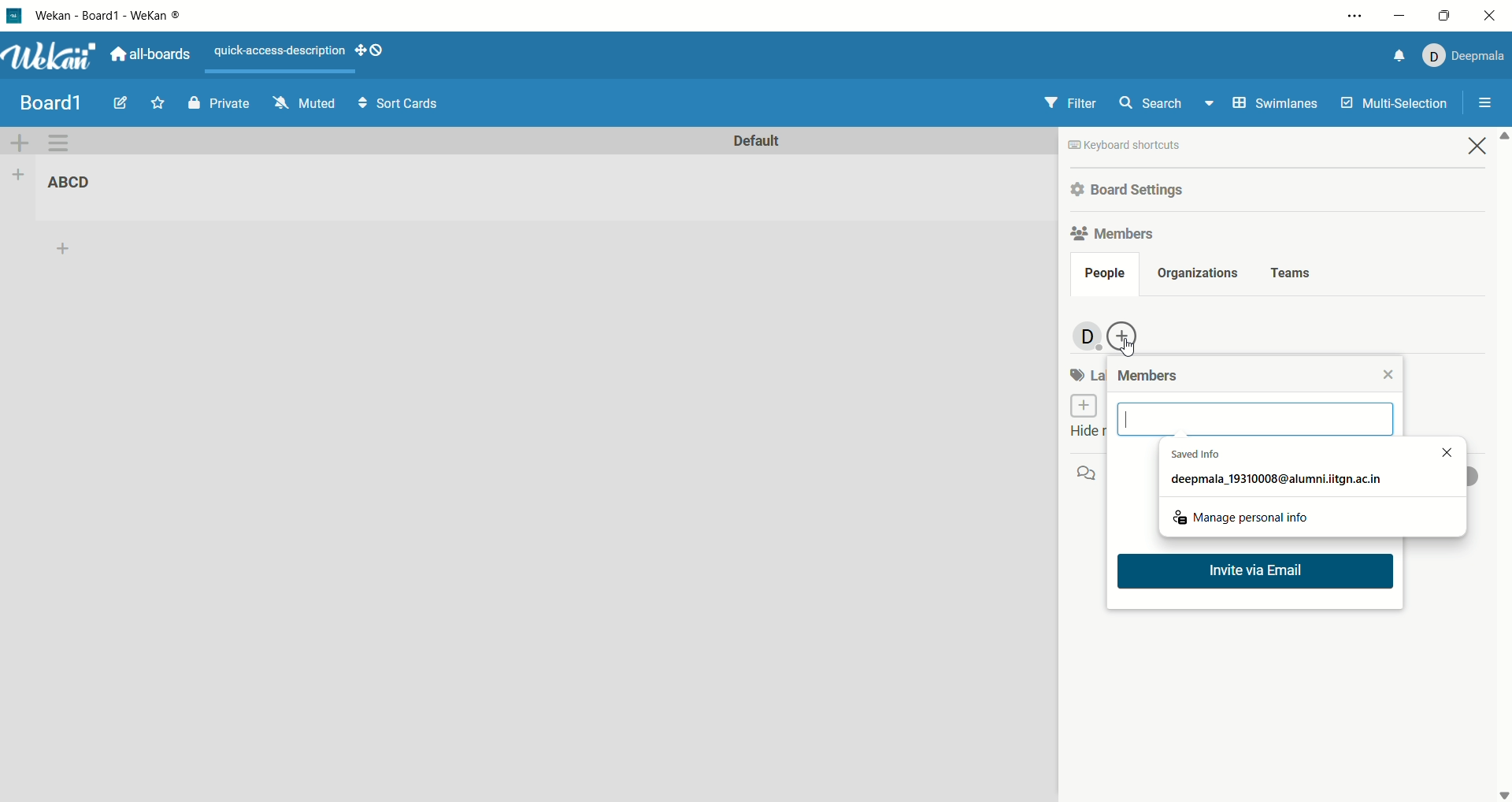 The height and width of the screenshot is (802, 1512). I want to click on maximize, so click(1443, 16).